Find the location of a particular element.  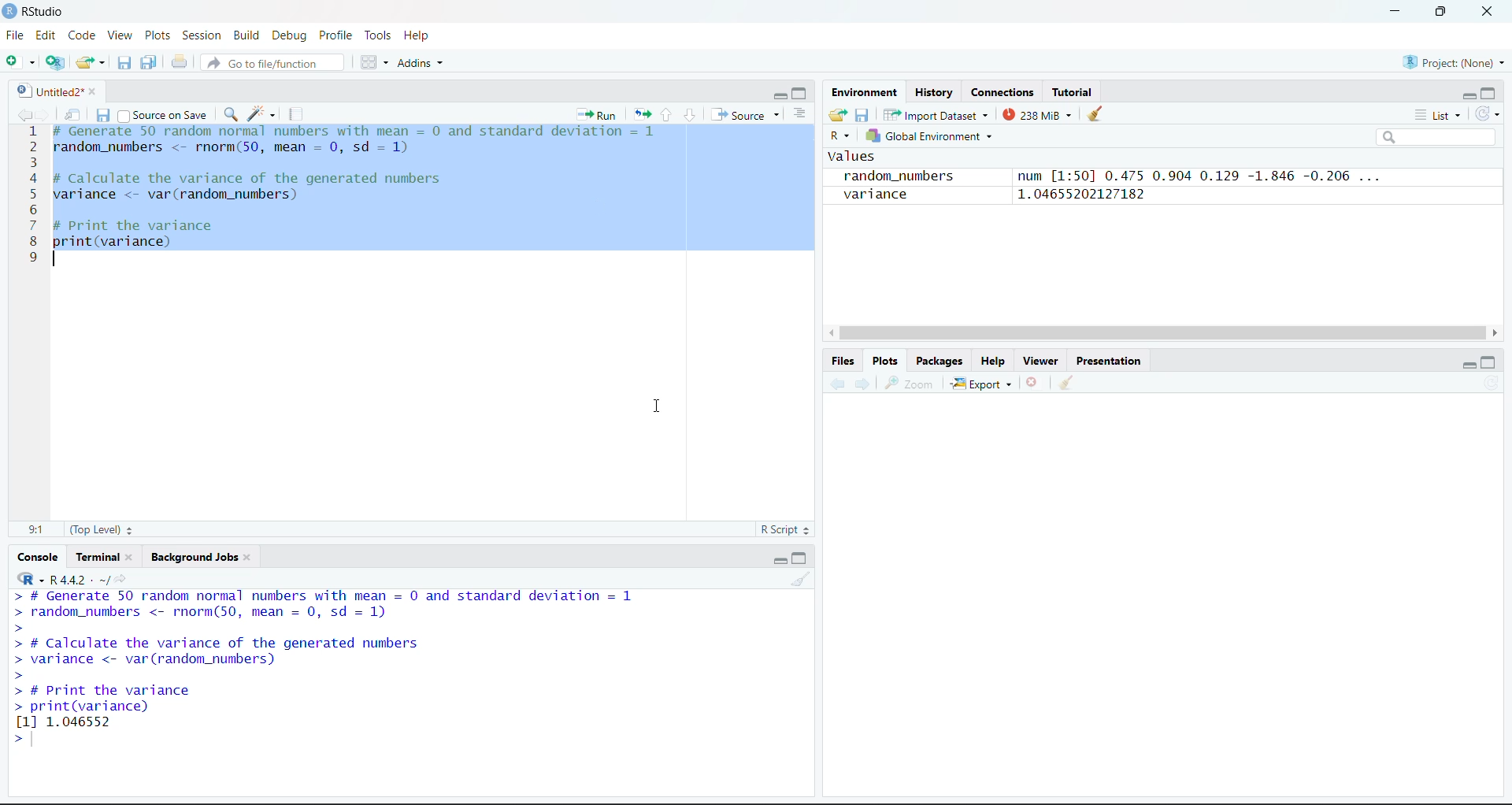

maximize is located at coordinates (801, 95).